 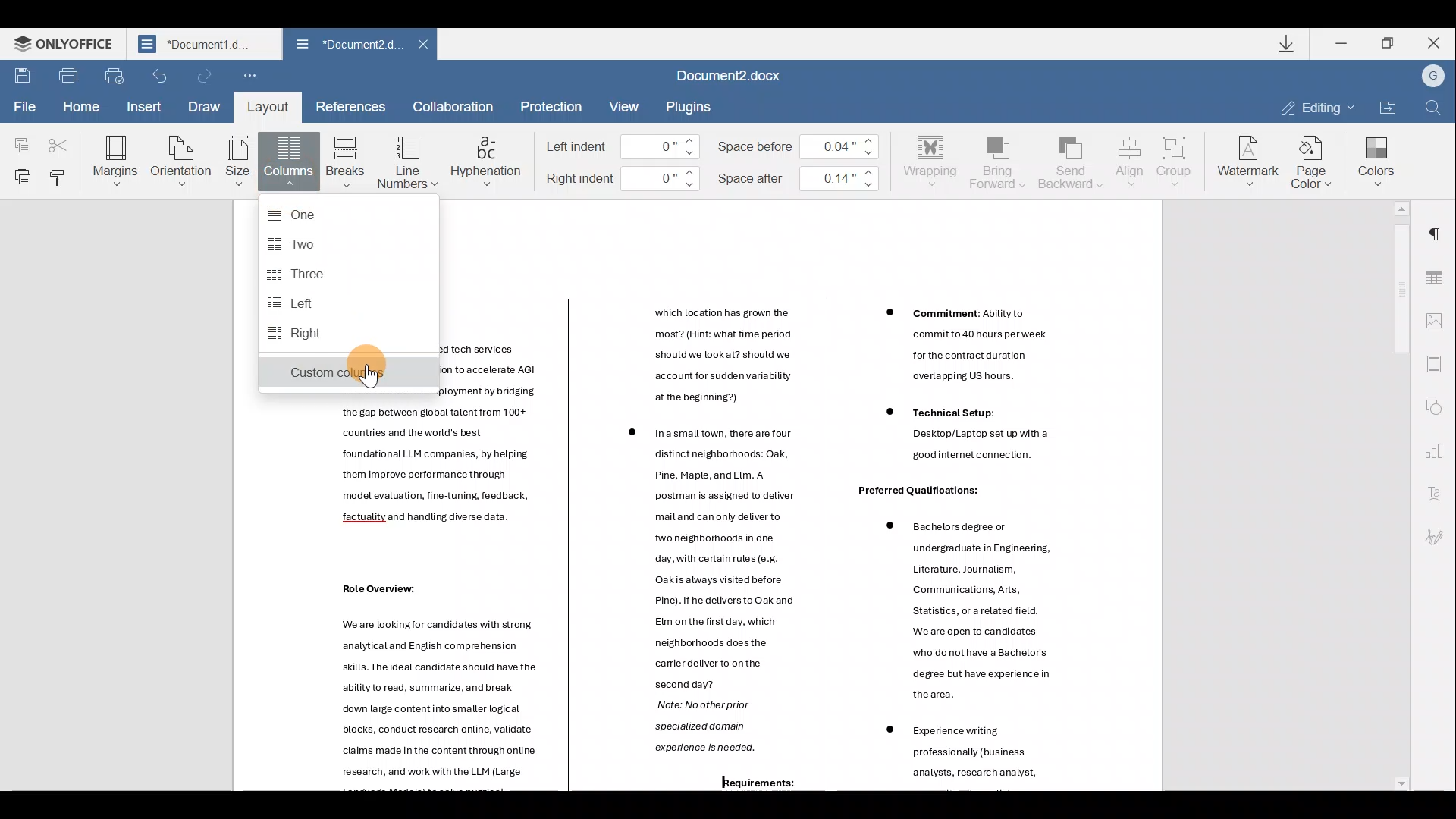 I want to click on Hyphenation, so click(x=487, y=158).